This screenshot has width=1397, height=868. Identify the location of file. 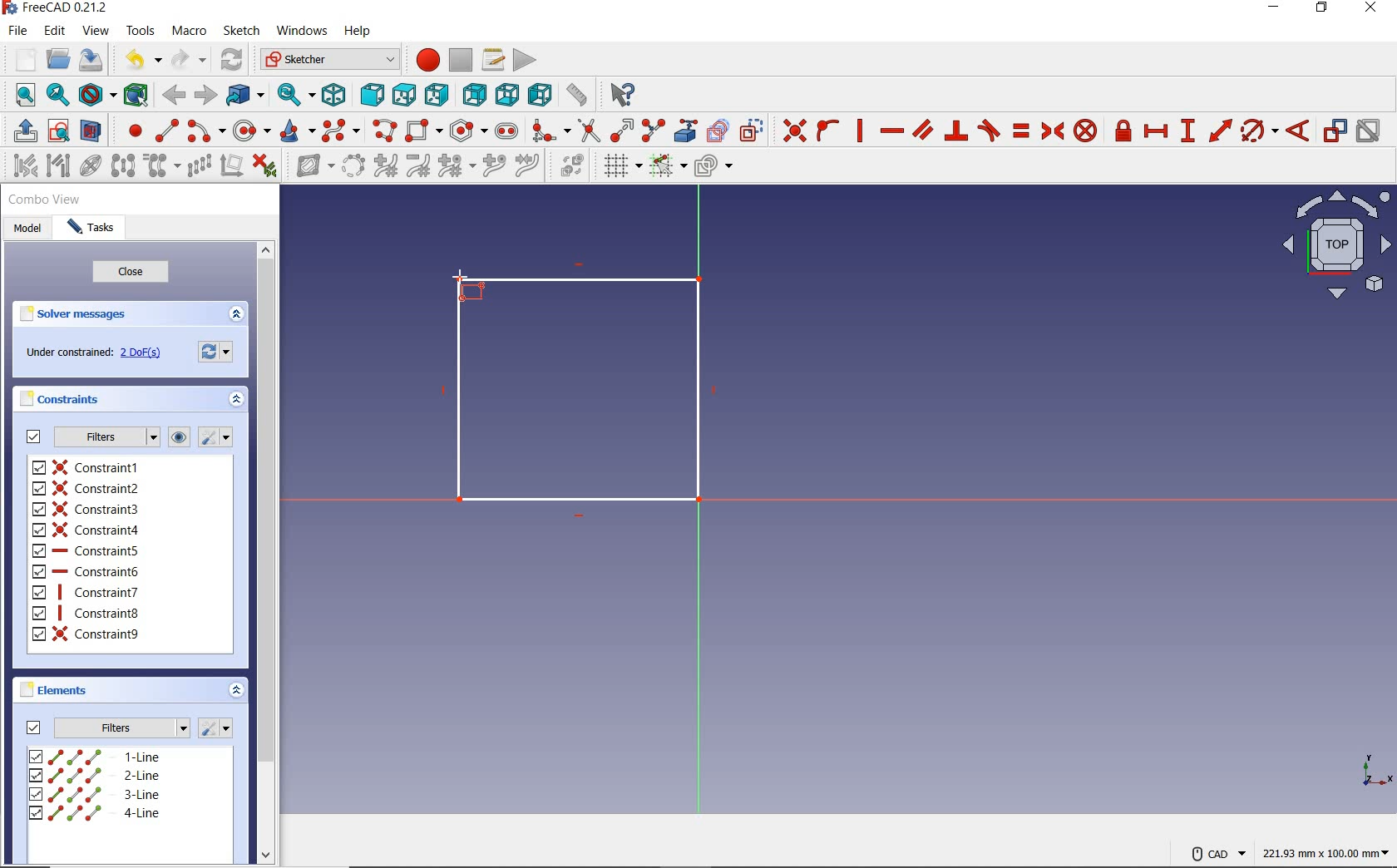
(18, 31).